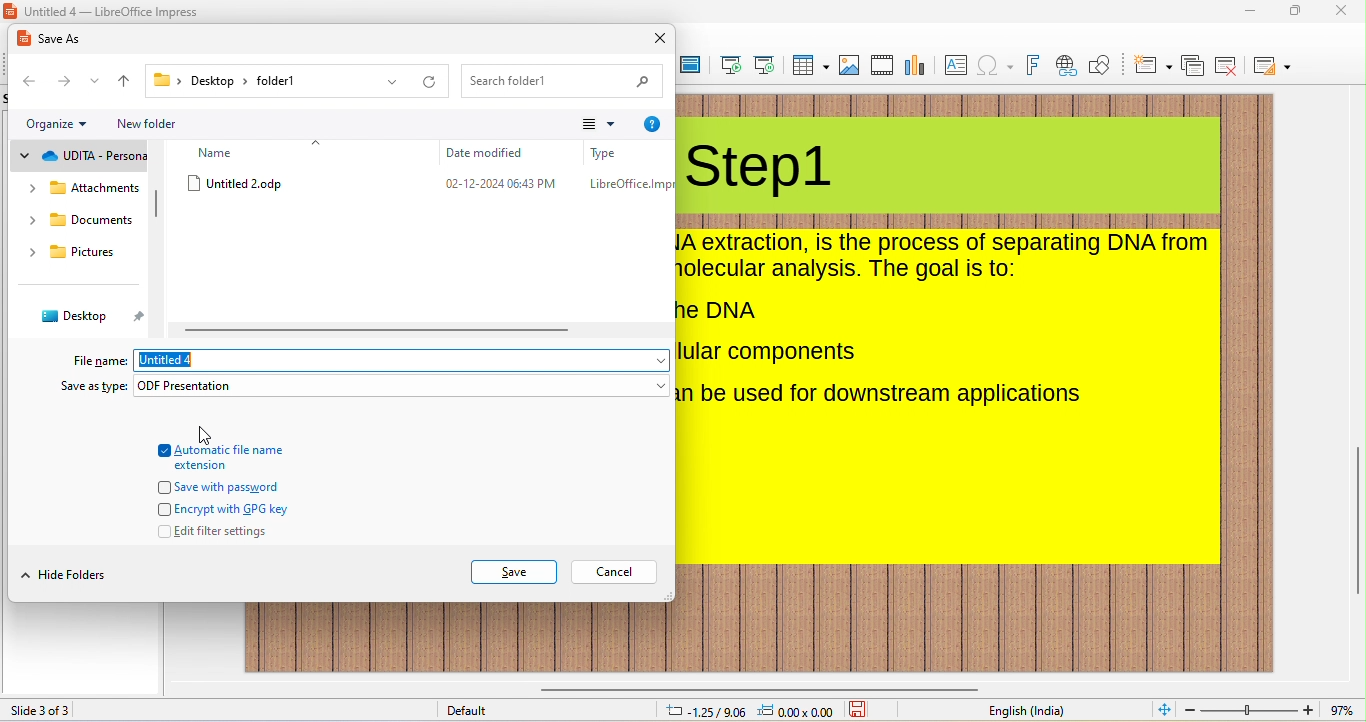  Describe the element at coordinates (563, 83) in the screenshot. I see `search bar` at that location.